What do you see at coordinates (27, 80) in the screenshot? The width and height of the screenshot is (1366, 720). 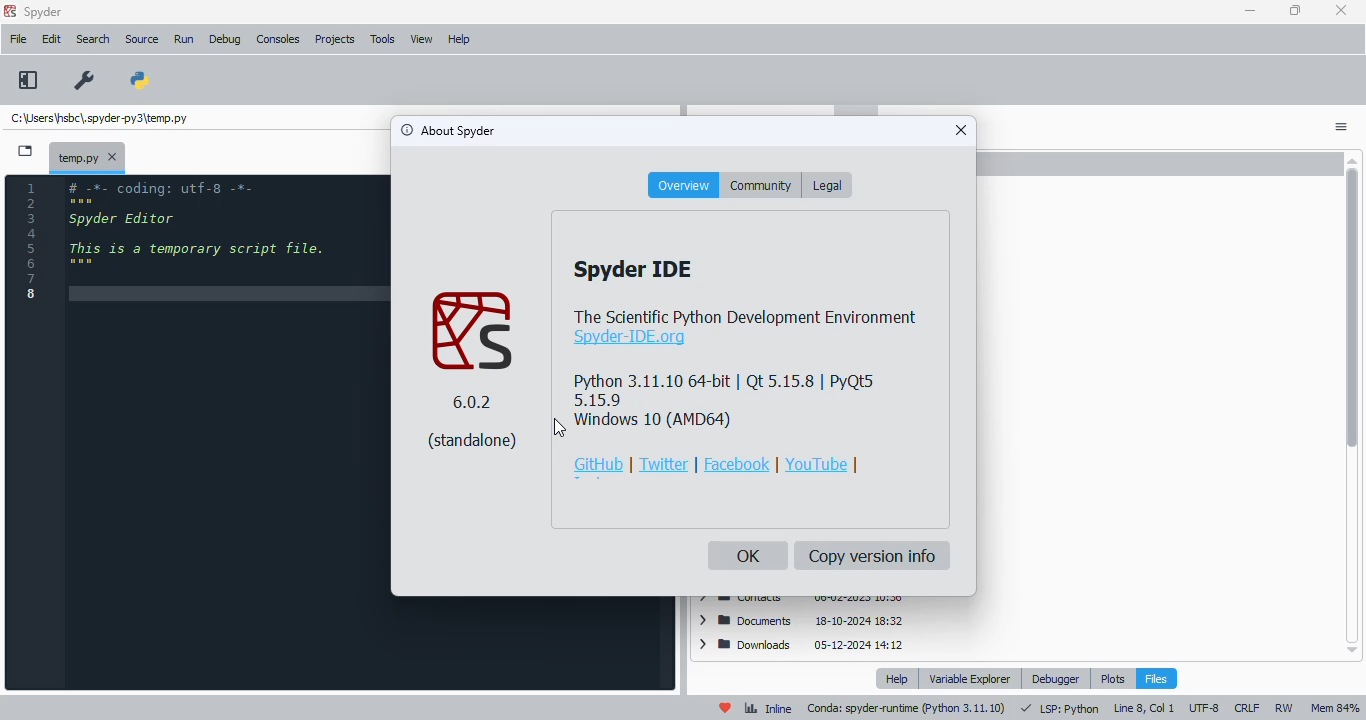 I see `maximize current pane` at bounding box center [27, 80].